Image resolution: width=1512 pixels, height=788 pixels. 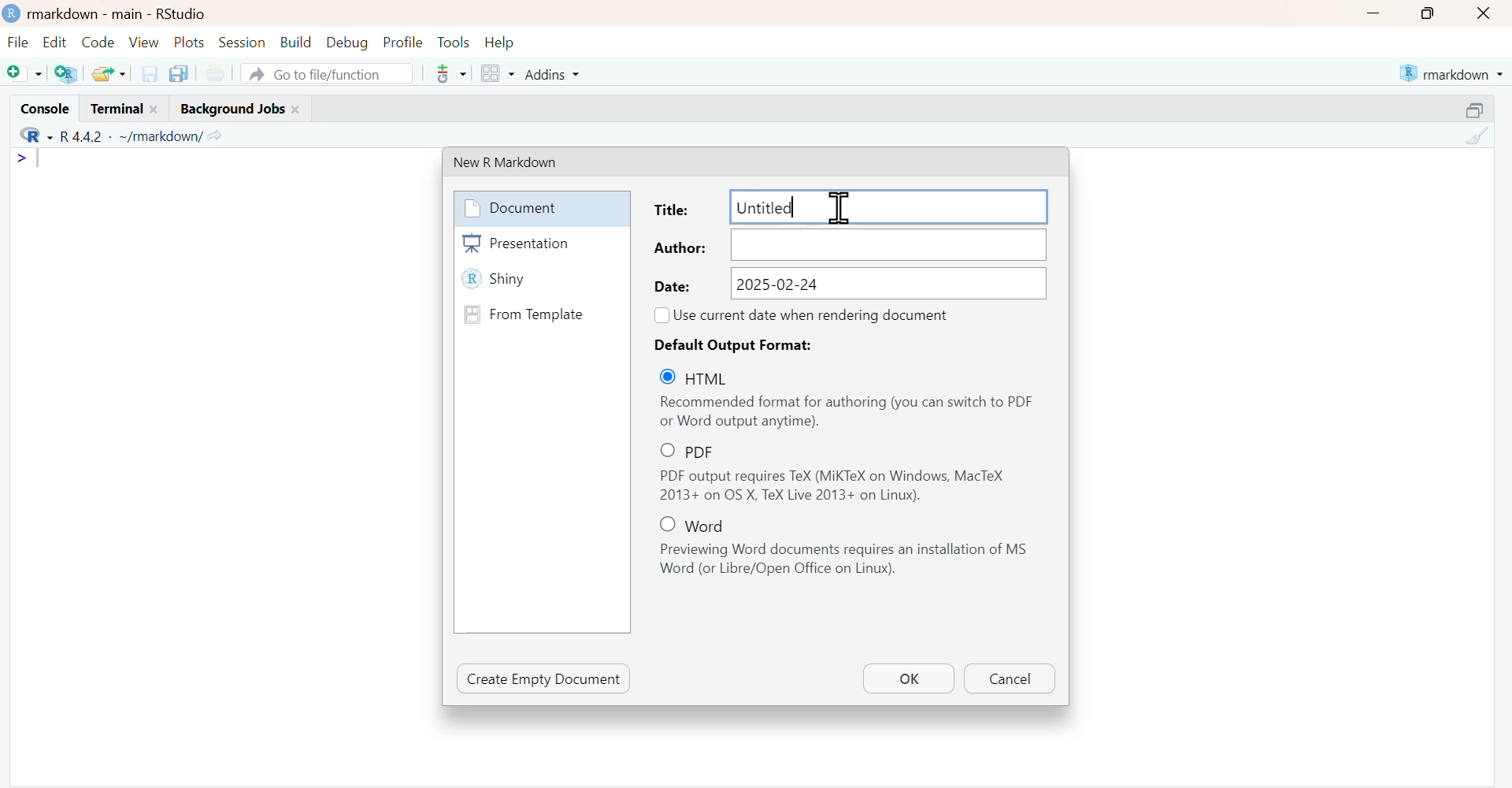 What do you see at coordinates (847, 206) in the screenshot?
I see `Title - untitled` at bounding box center [847, 206].